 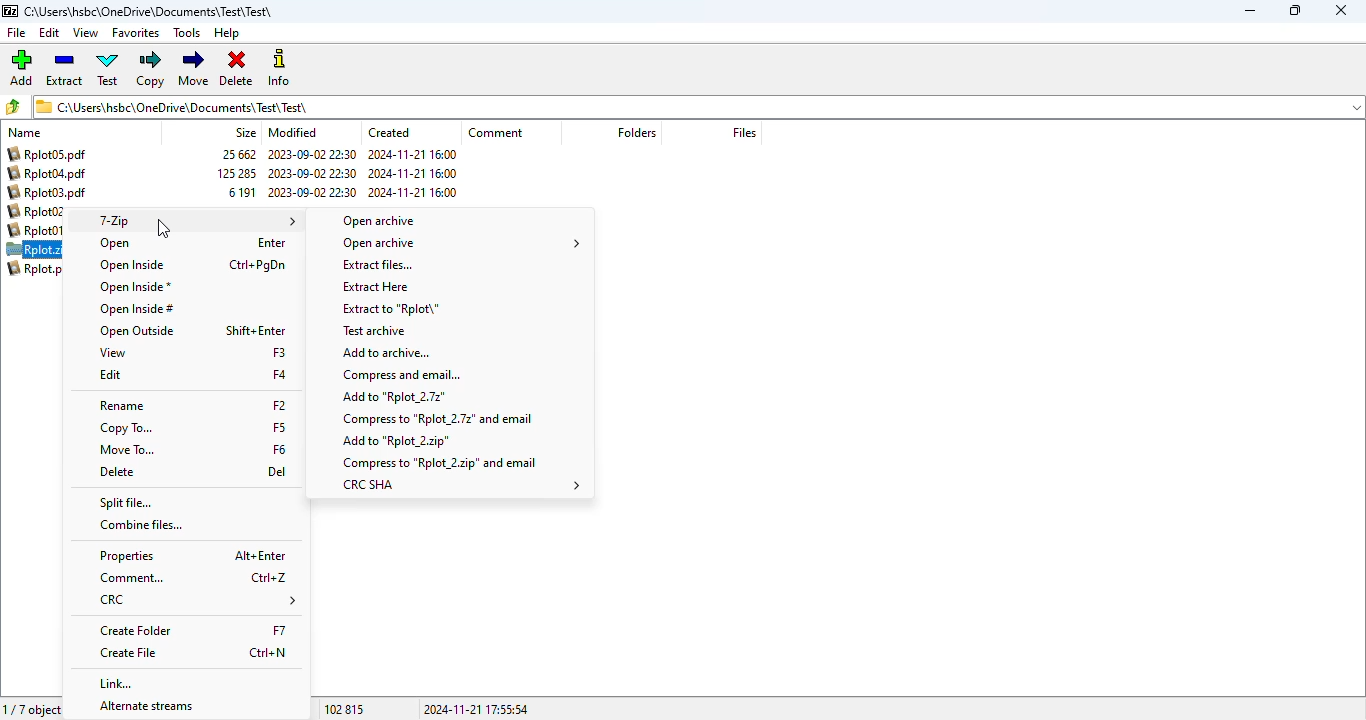 What do you see at coordinates (38, 268) in the screenshot?
I see `Rplot.pdf` at bounding box center [38, 268].